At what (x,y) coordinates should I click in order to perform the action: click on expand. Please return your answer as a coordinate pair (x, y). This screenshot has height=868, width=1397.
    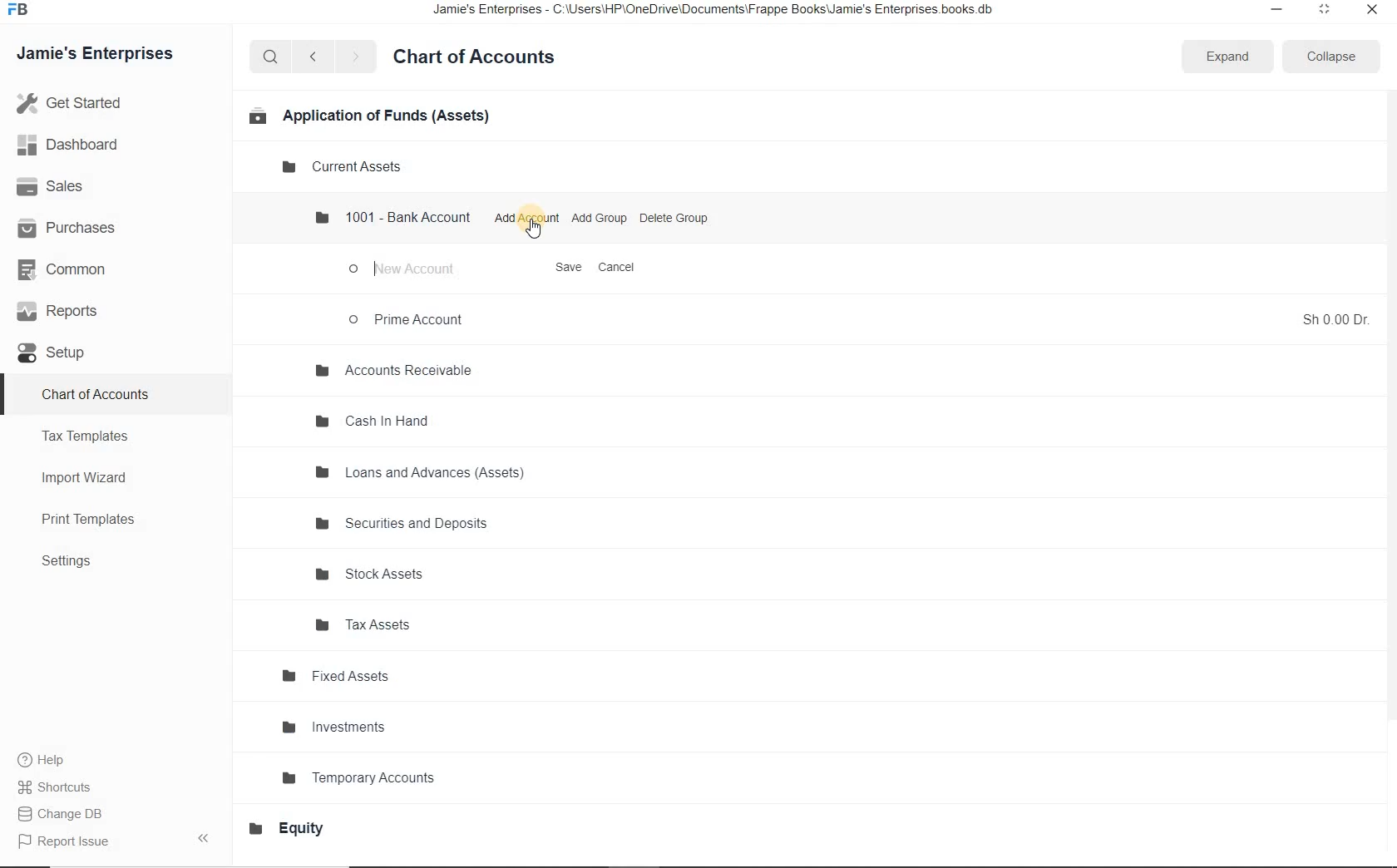
    Looking at the image, I should click on (1226, 57).